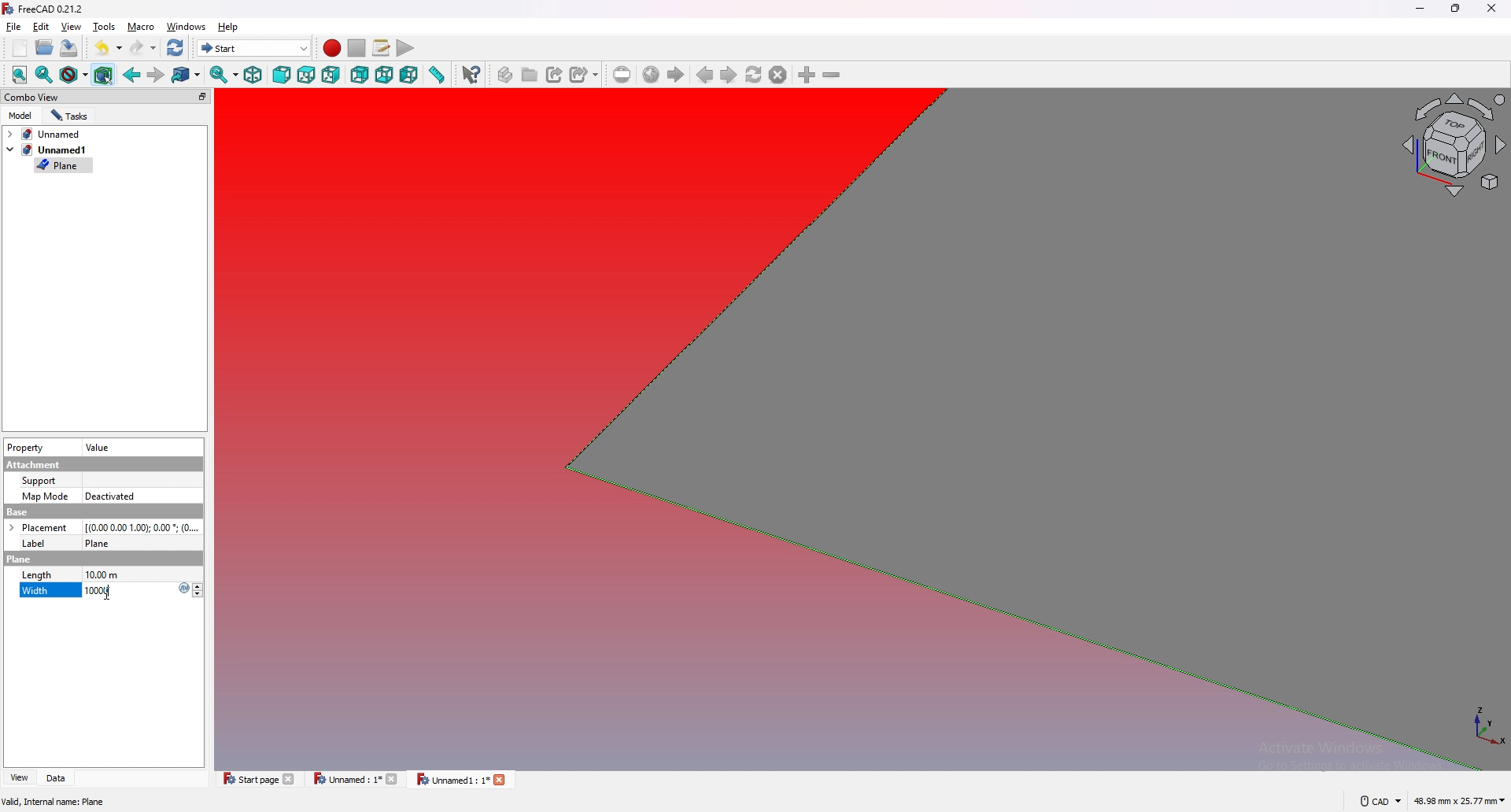 This screenshot has height=812, width=1511. What do you see at coordinates (132, 74) in the screenshot?
I see `back` at bounding box center [132, 74].